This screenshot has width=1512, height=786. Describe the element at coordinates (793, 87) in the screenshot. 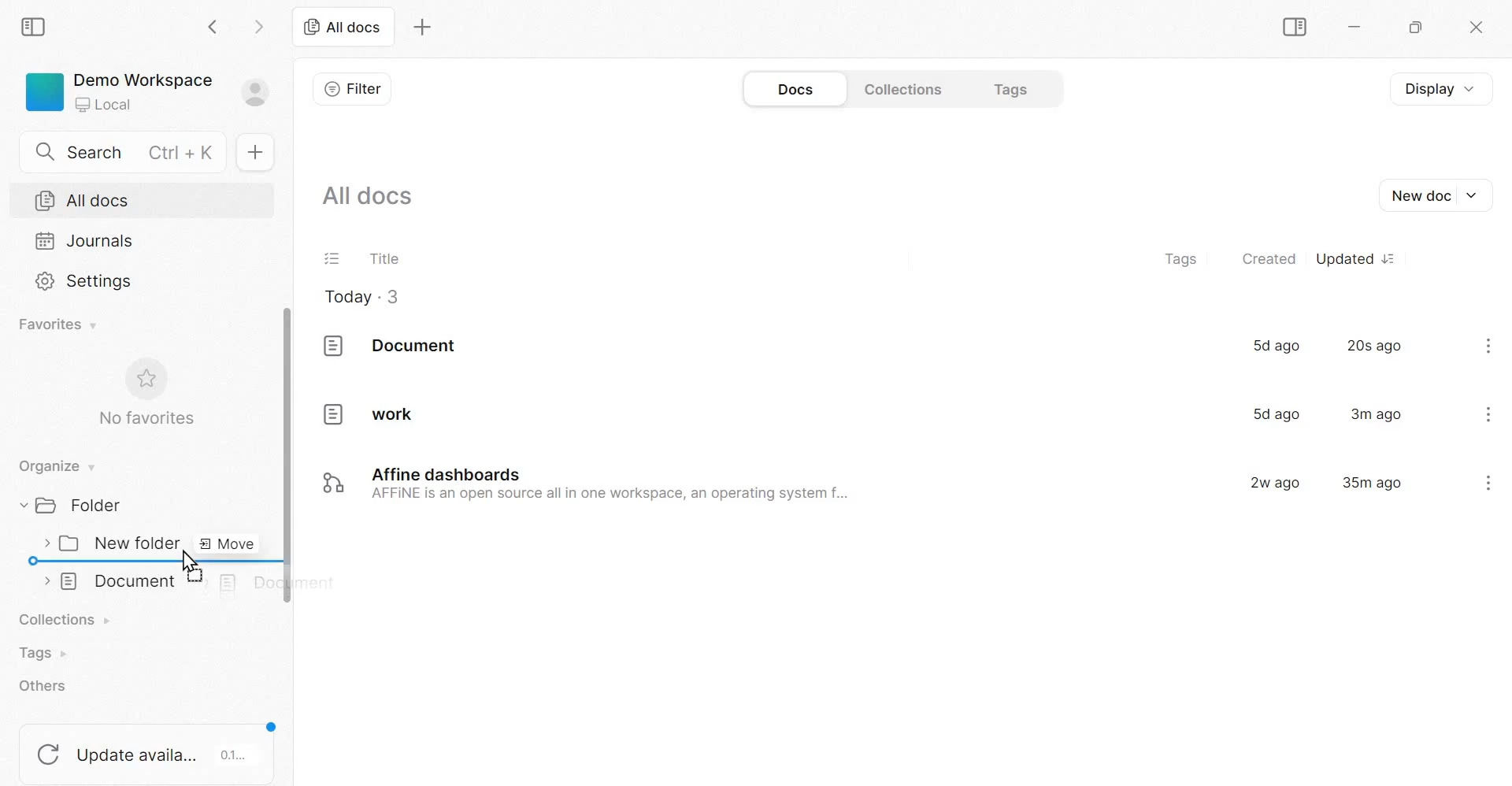

I see `Docs` at that location.